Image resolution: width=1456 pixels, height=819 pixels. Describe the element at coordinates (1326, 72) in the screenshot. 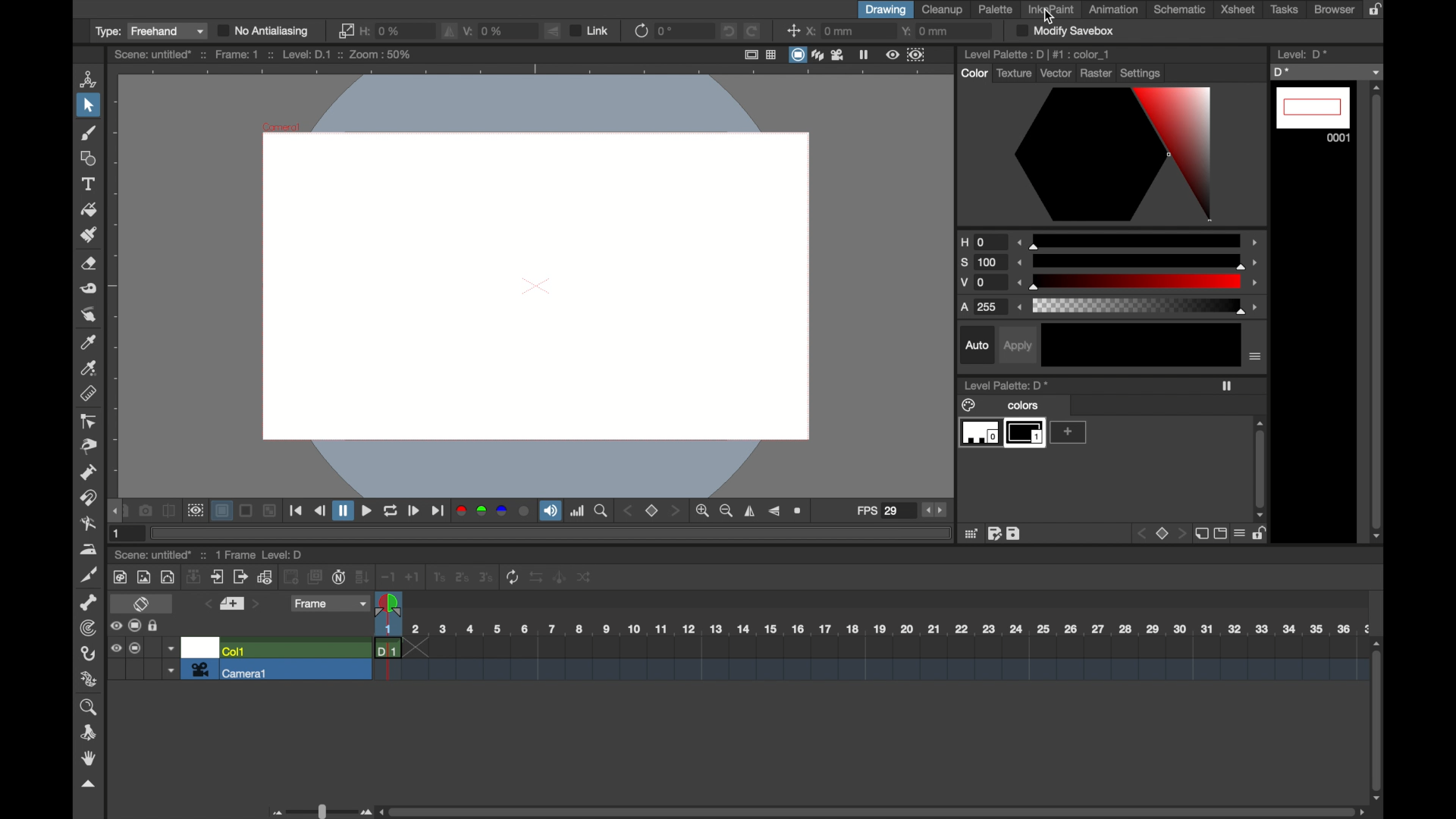

I see `dropdown` at that location.